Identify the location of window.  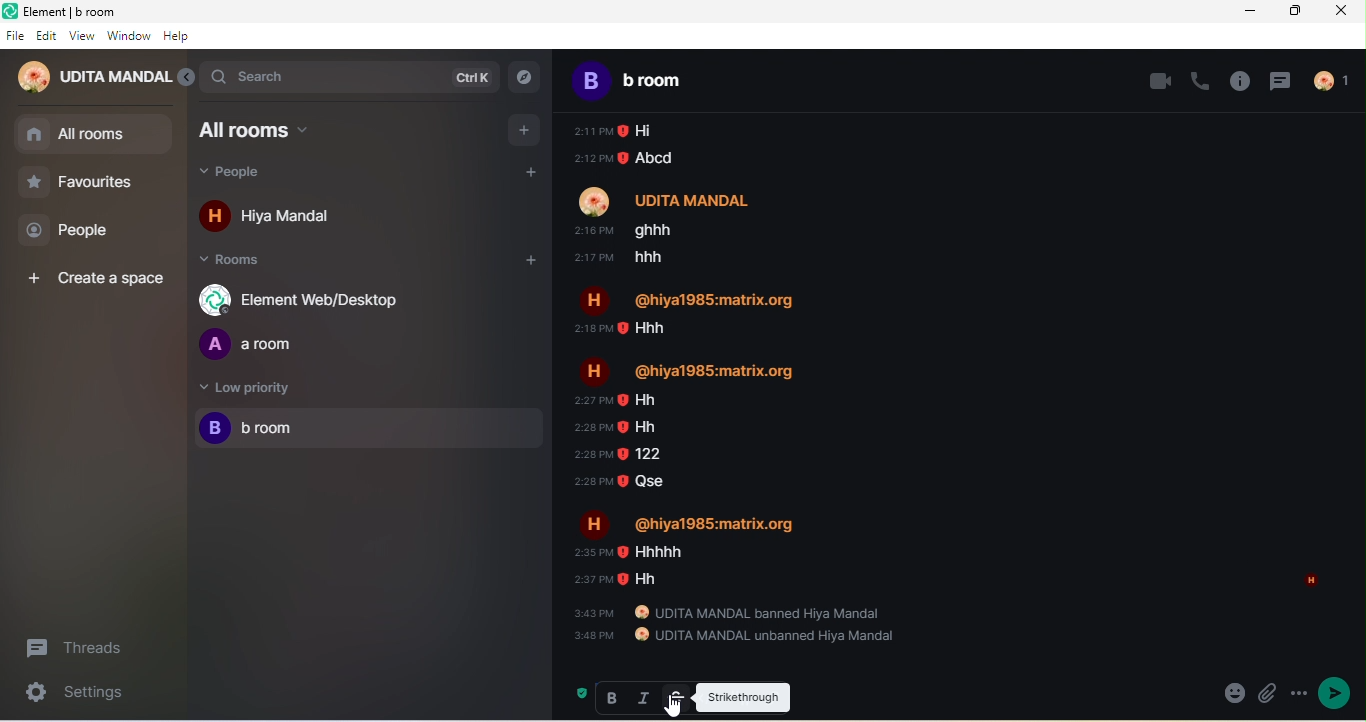
(129, 37).